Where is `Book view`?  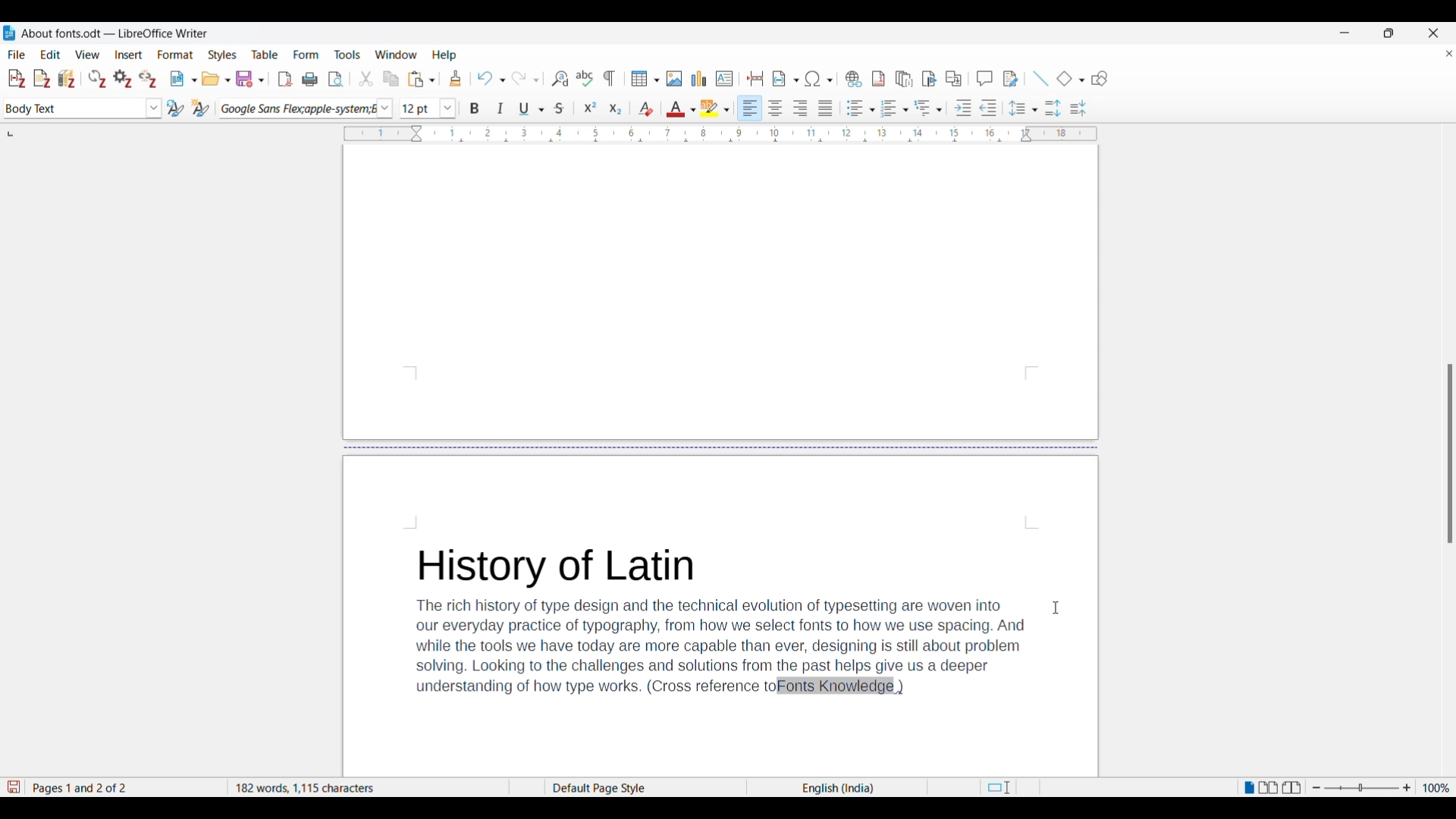 Book view is located at coordinates (1295, 788).